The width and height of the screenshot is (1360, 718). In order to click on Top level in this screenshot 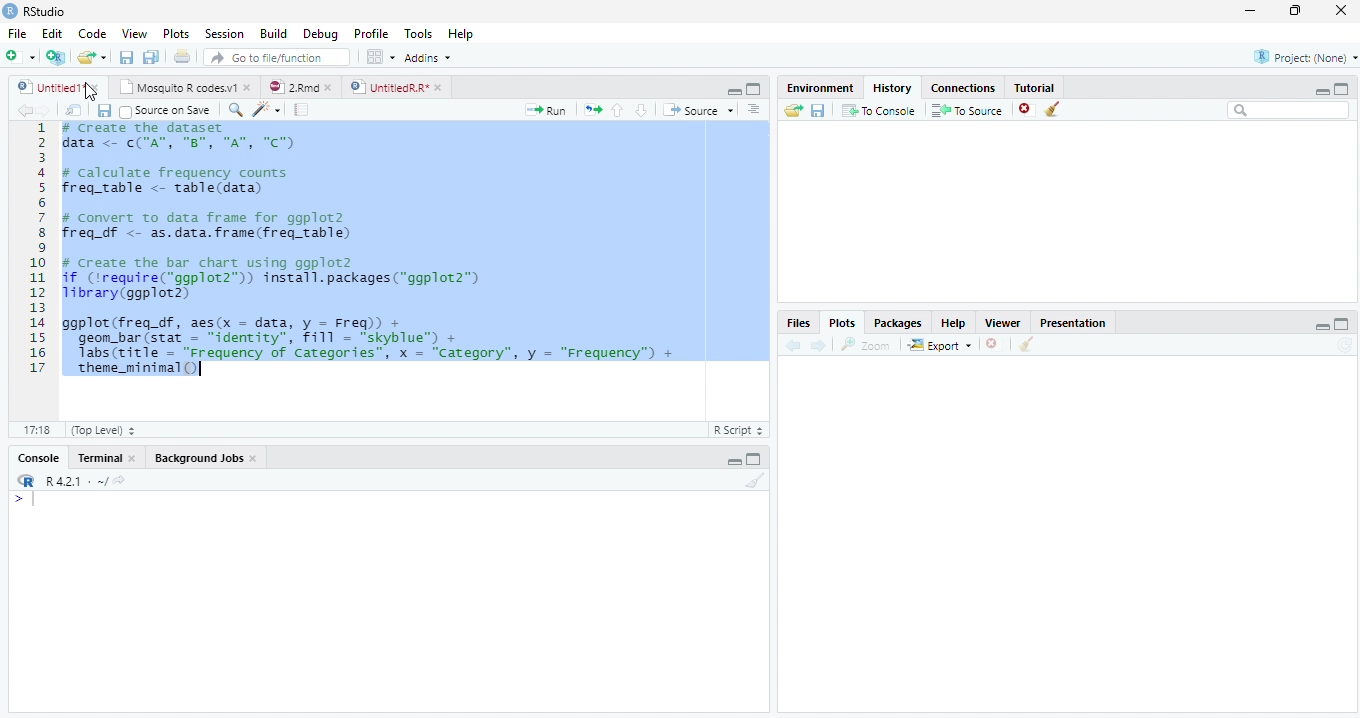, I will do `click(99, 431)`.